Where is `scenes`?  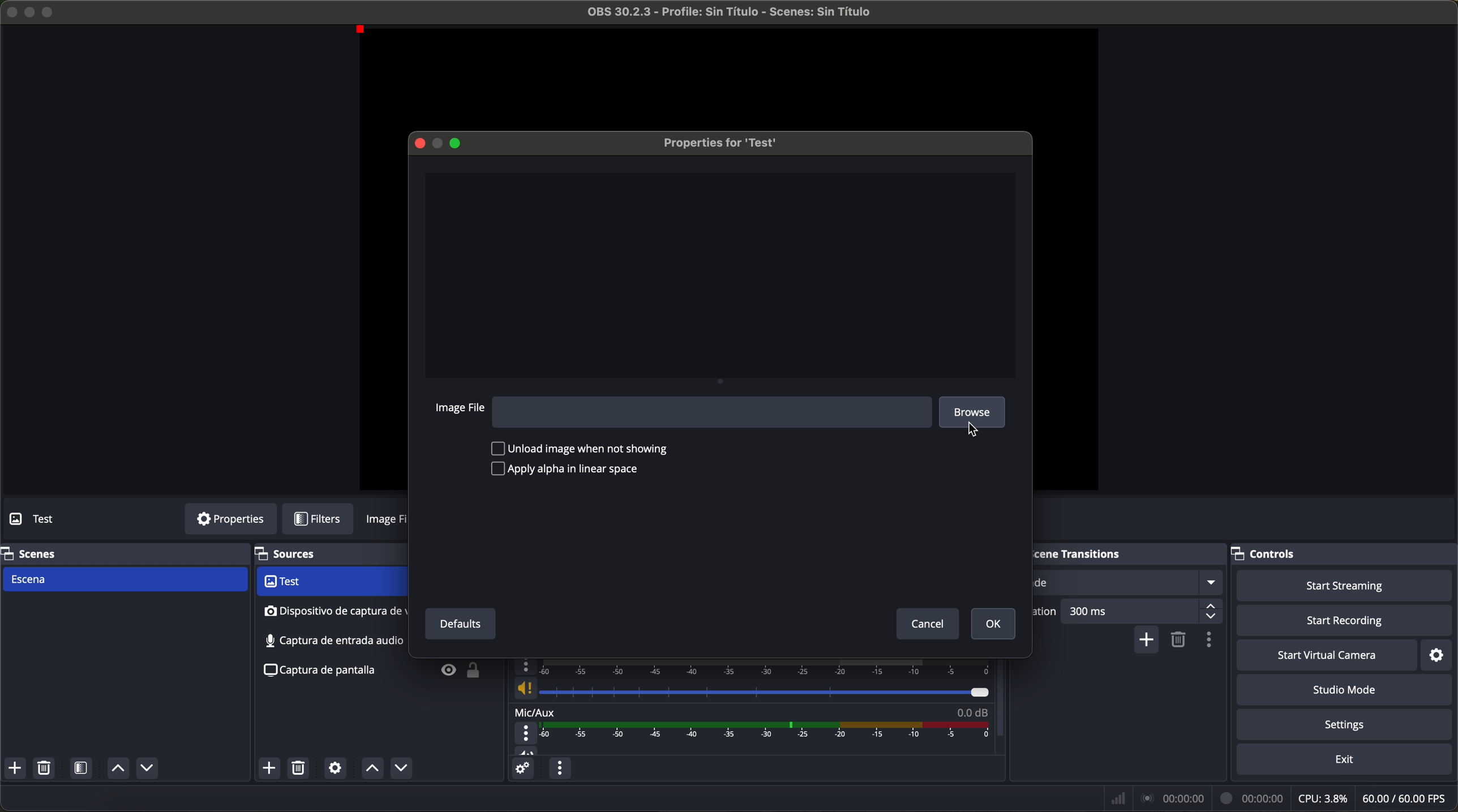
scenes is located at coordinates (31, 553).